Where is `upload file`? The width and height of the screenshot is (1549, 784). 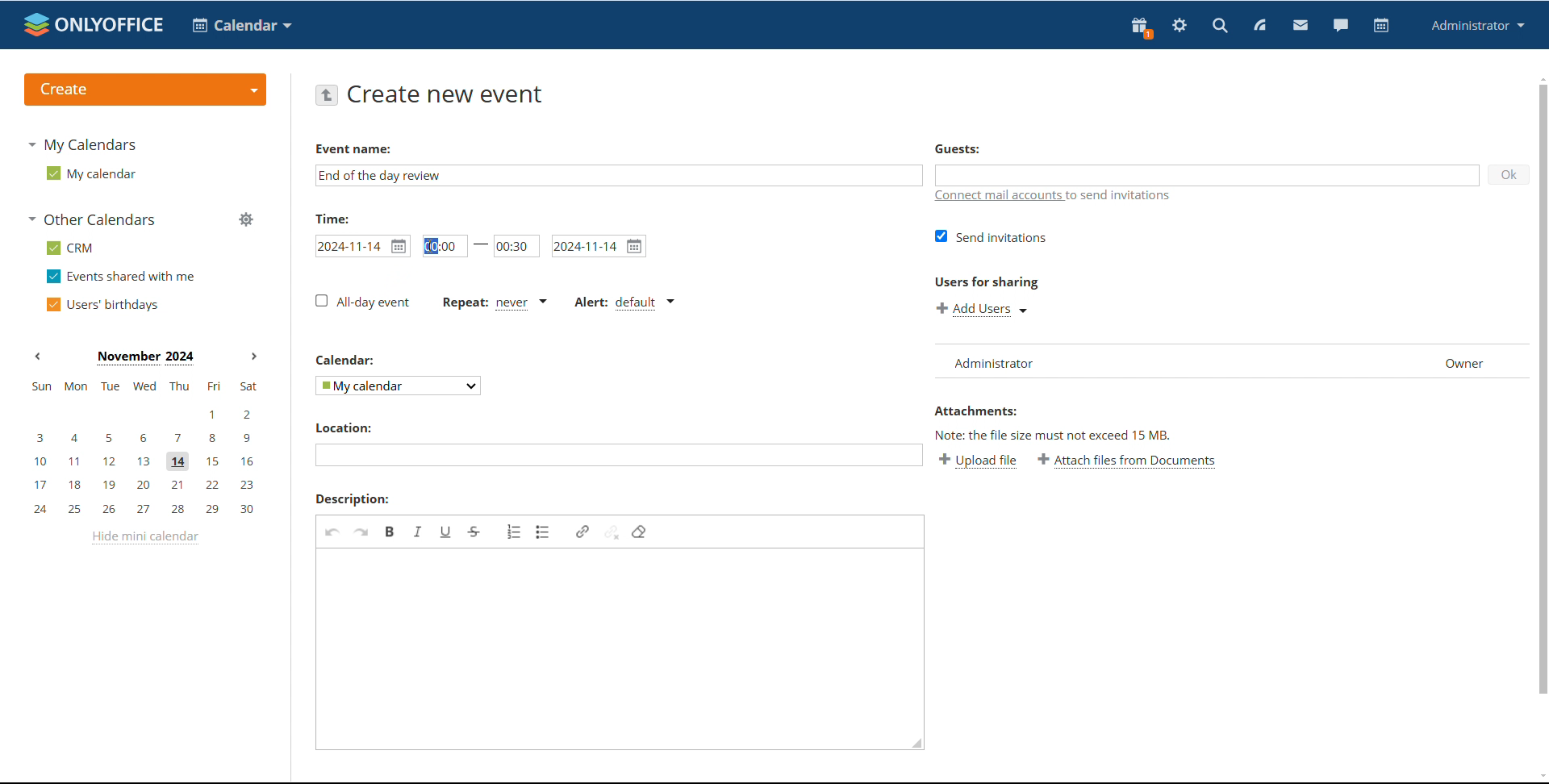 upload file is located at coordinates (978, 460).